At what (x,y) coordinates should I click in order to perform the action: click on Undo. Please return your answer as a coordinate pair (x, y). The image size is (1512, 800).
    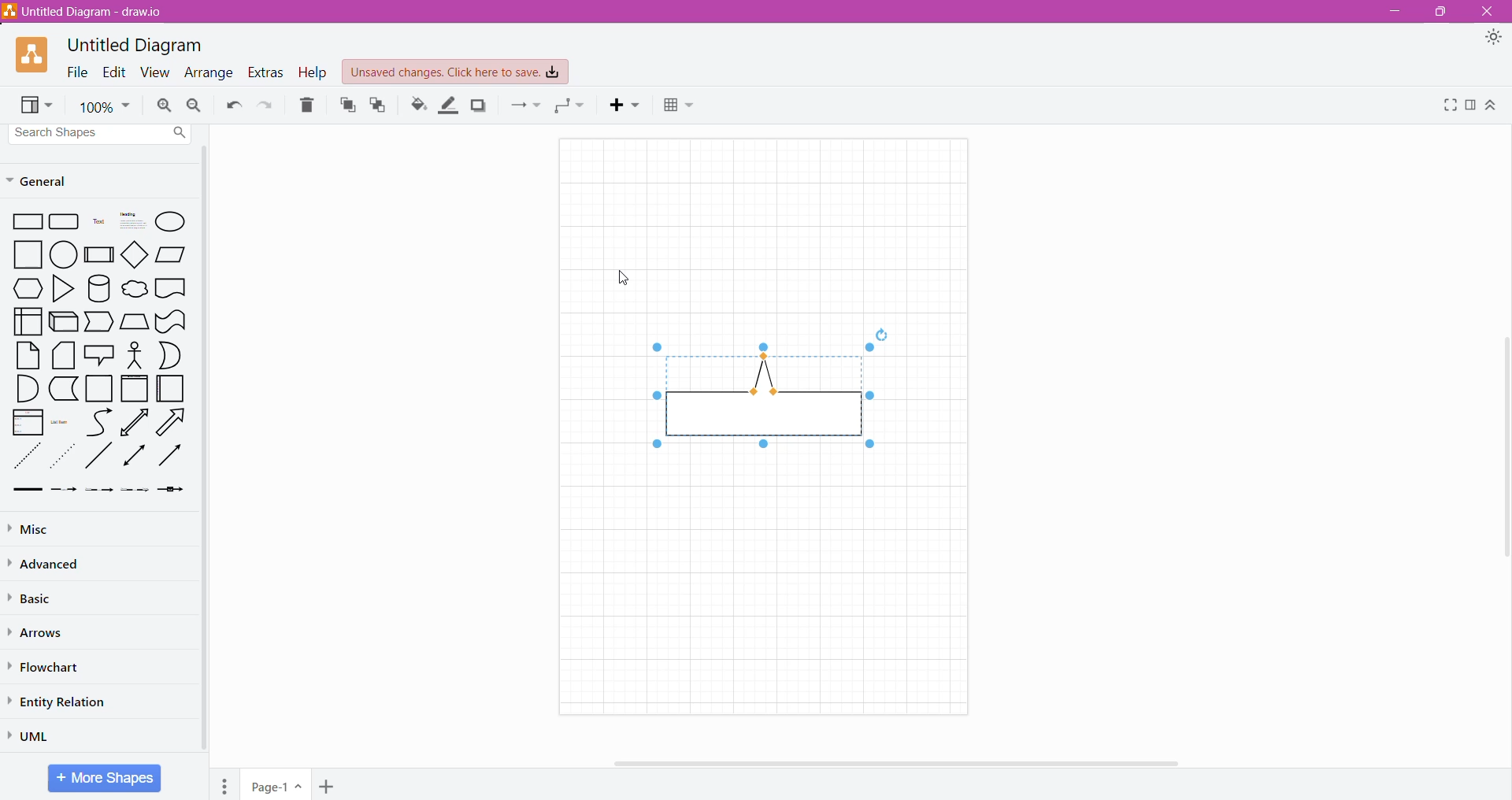
    Looking at the image, I should click on (234, 106).